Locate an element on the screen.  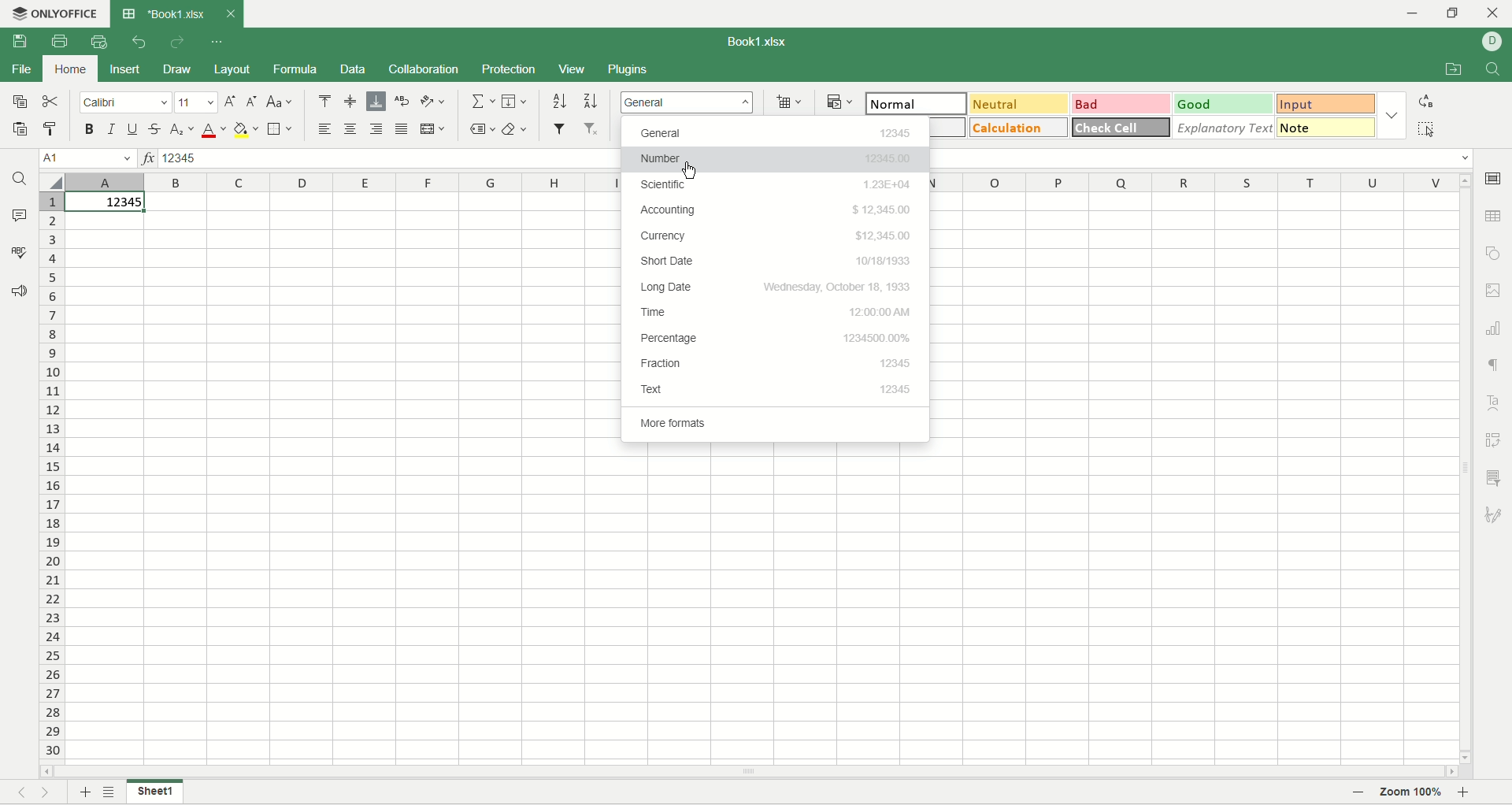
general is located at coordinates (777, 132).